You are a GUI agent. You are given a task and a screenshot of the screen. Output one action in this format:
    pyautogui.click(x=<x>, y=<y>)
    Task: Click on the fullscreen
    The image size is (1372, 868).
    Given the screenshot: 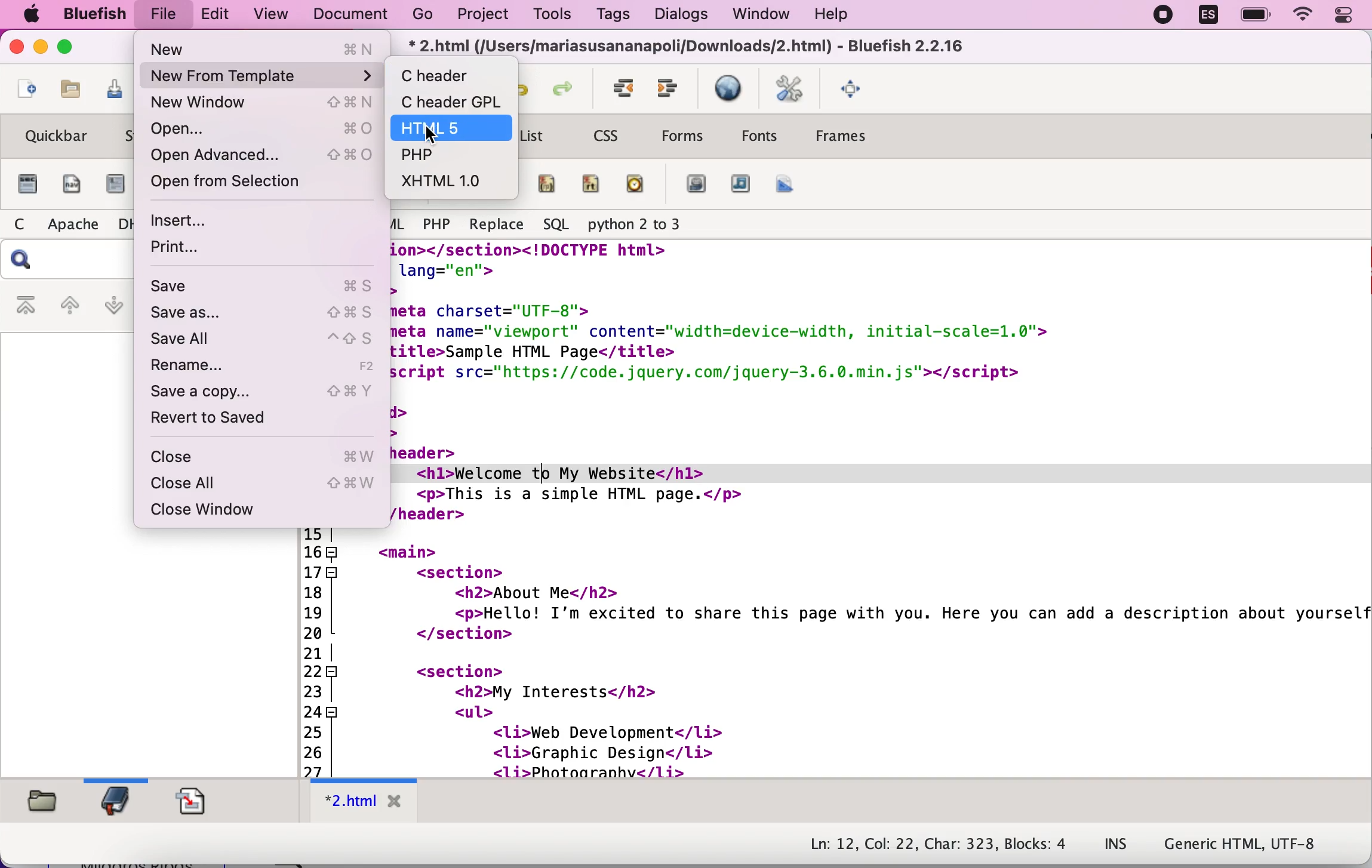 What is the action you would take?
    pyautogui.click(x=853, y=88)
    